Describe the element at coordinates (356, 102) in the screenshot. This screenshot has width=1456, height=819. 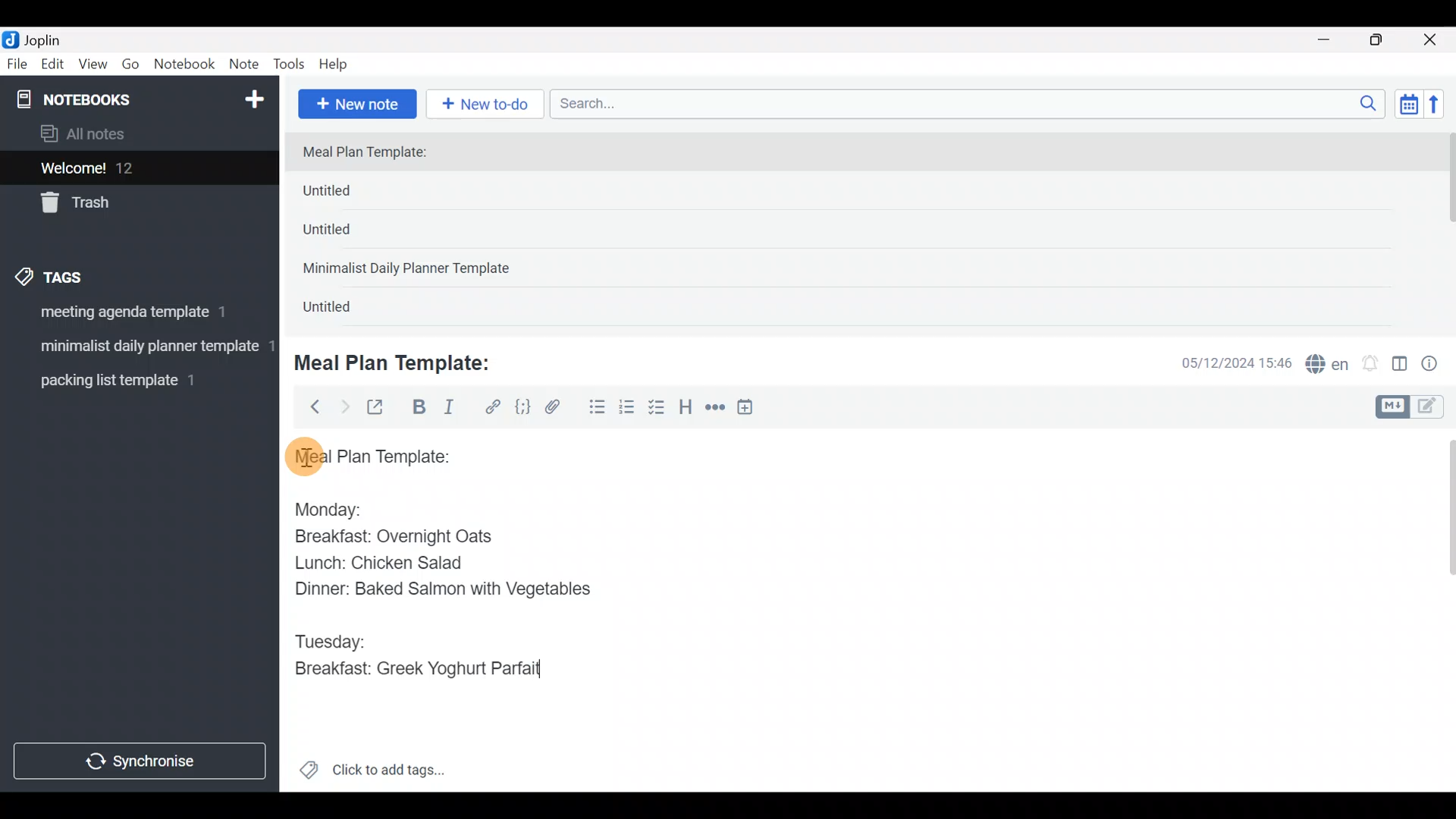
I see `New note` at that location.